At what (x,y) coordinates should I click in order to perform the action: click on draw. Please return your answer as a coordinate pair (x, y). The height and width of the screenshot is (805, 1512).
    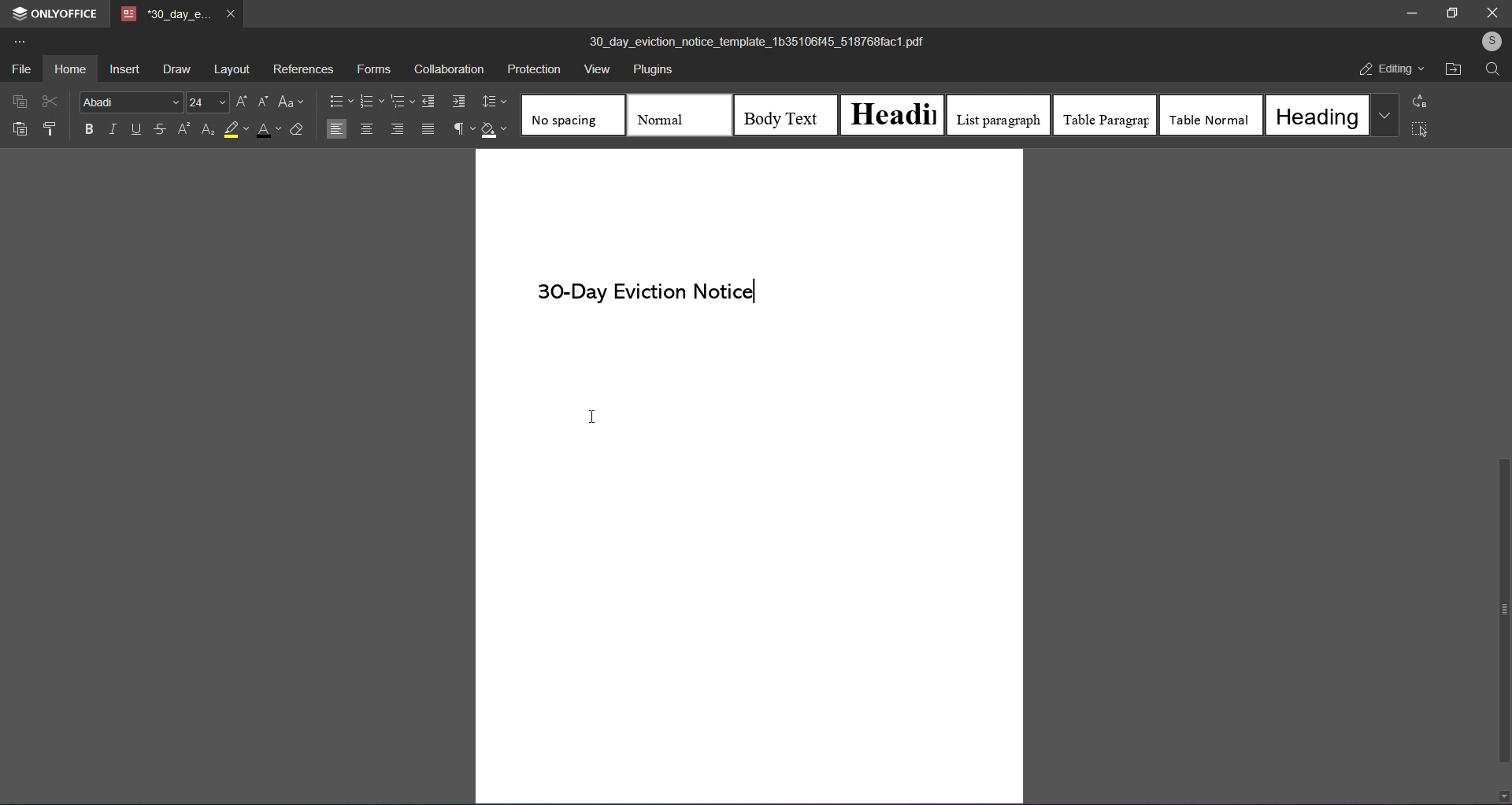
    Looking at the image, I should click on (175, 69).